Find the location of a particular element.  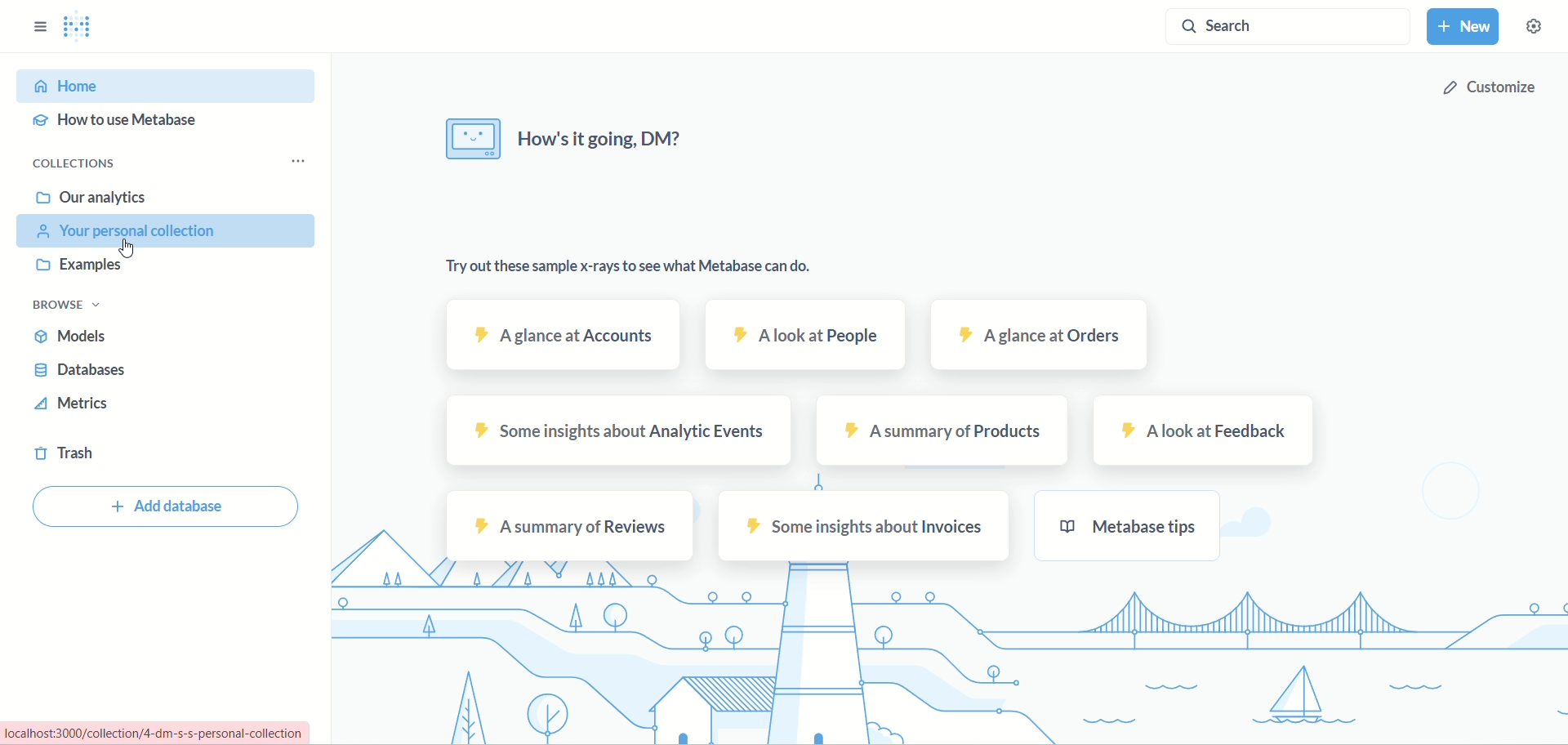

SHOW SIDEBAR  is located at coordinates (40, 22).